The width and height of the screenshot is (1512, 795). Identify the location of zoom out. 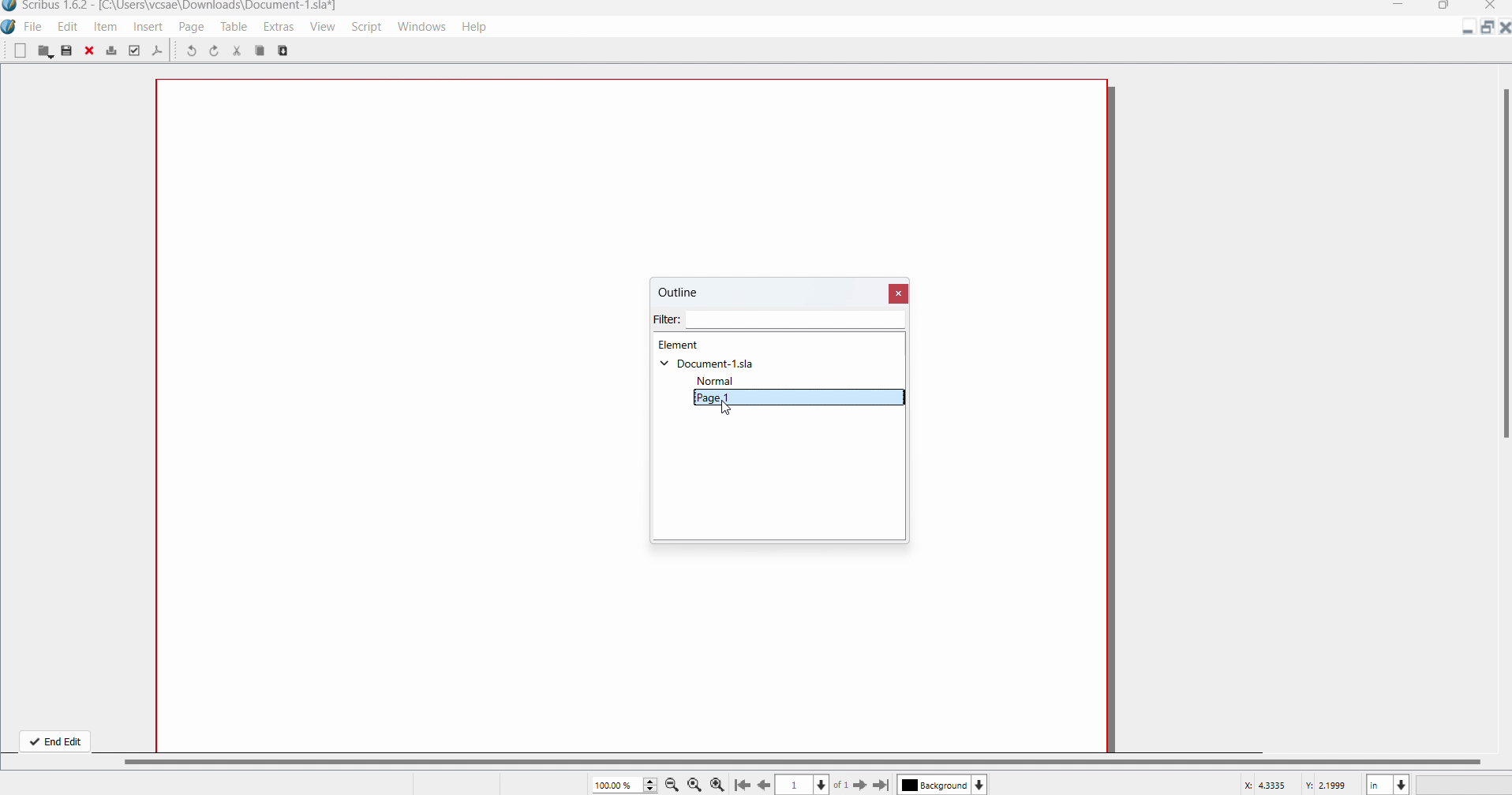
(672, 784).